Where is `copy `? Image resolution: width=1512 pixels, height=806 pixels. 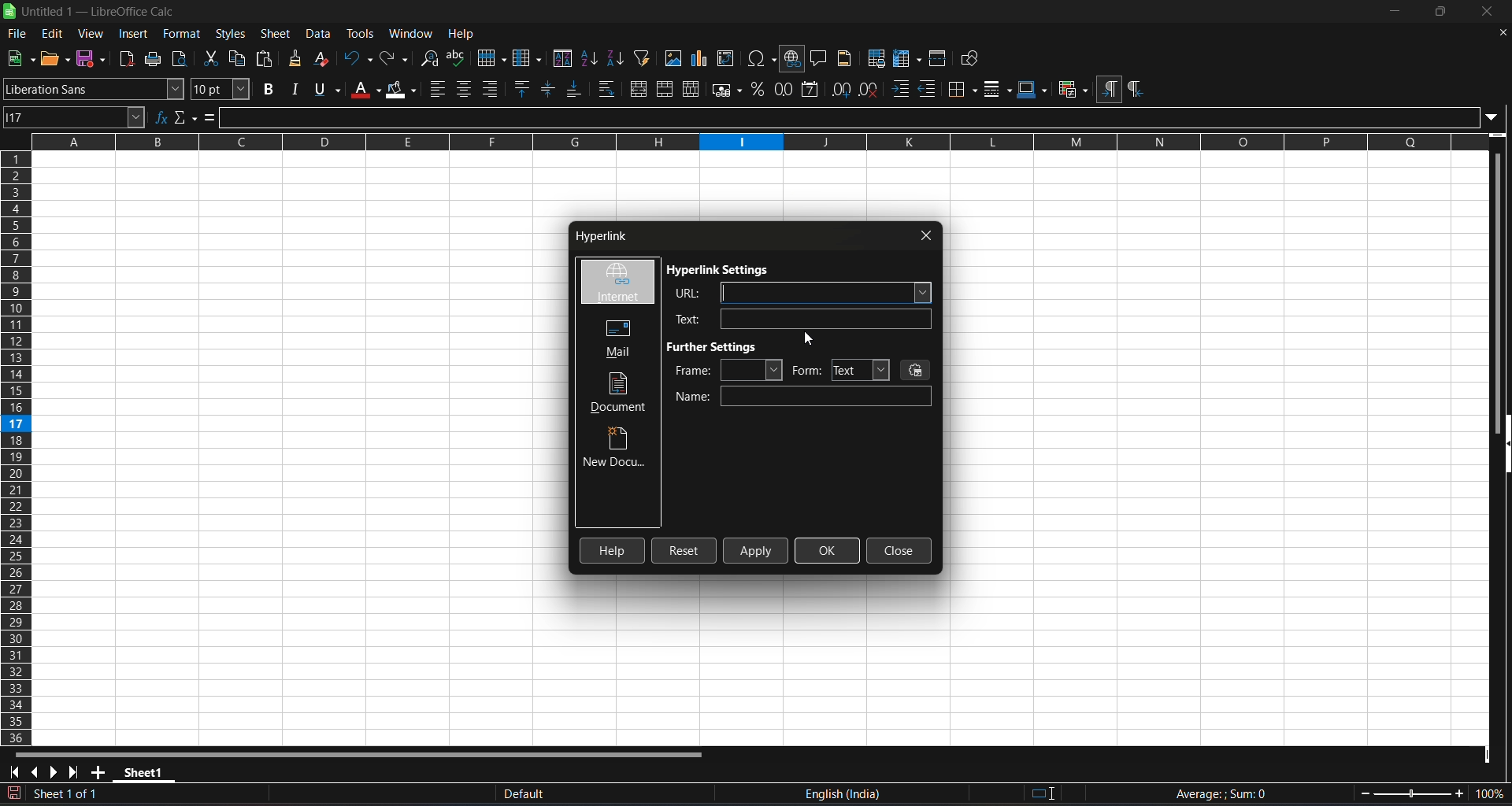
copy  is located at coordinates (239, 57).